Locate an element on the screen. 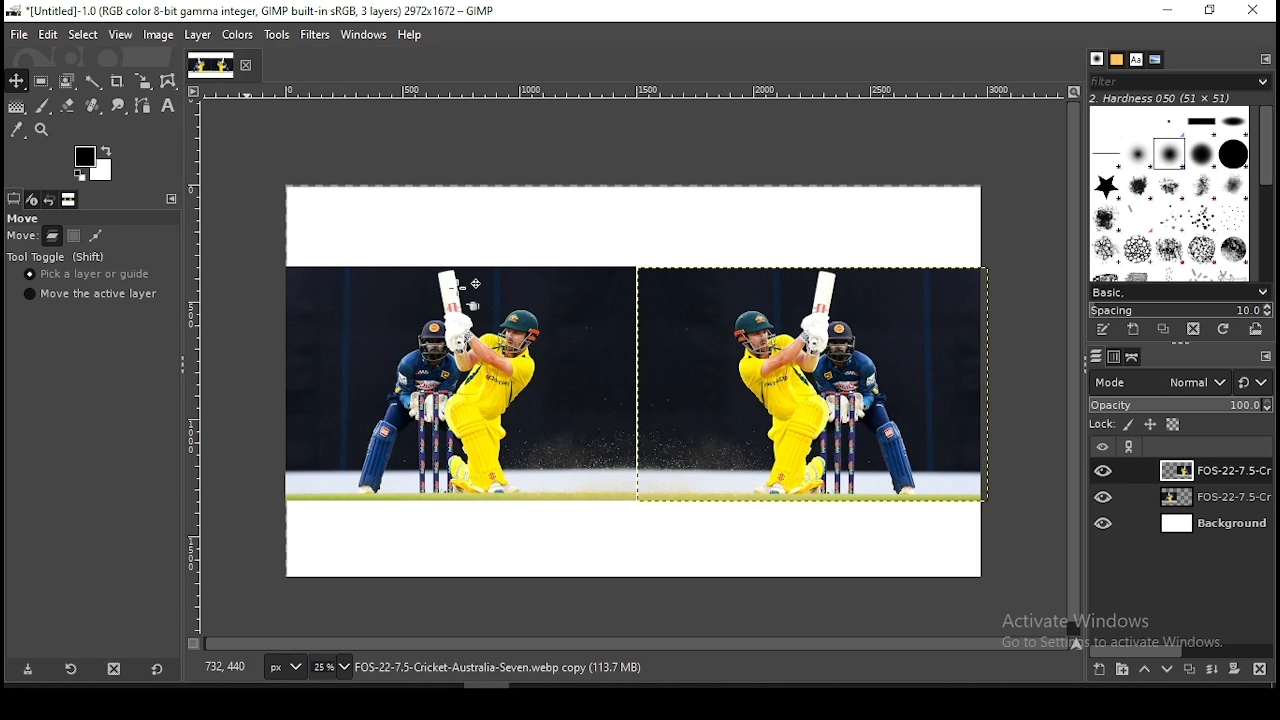  image is located at coordinates (456, 383).